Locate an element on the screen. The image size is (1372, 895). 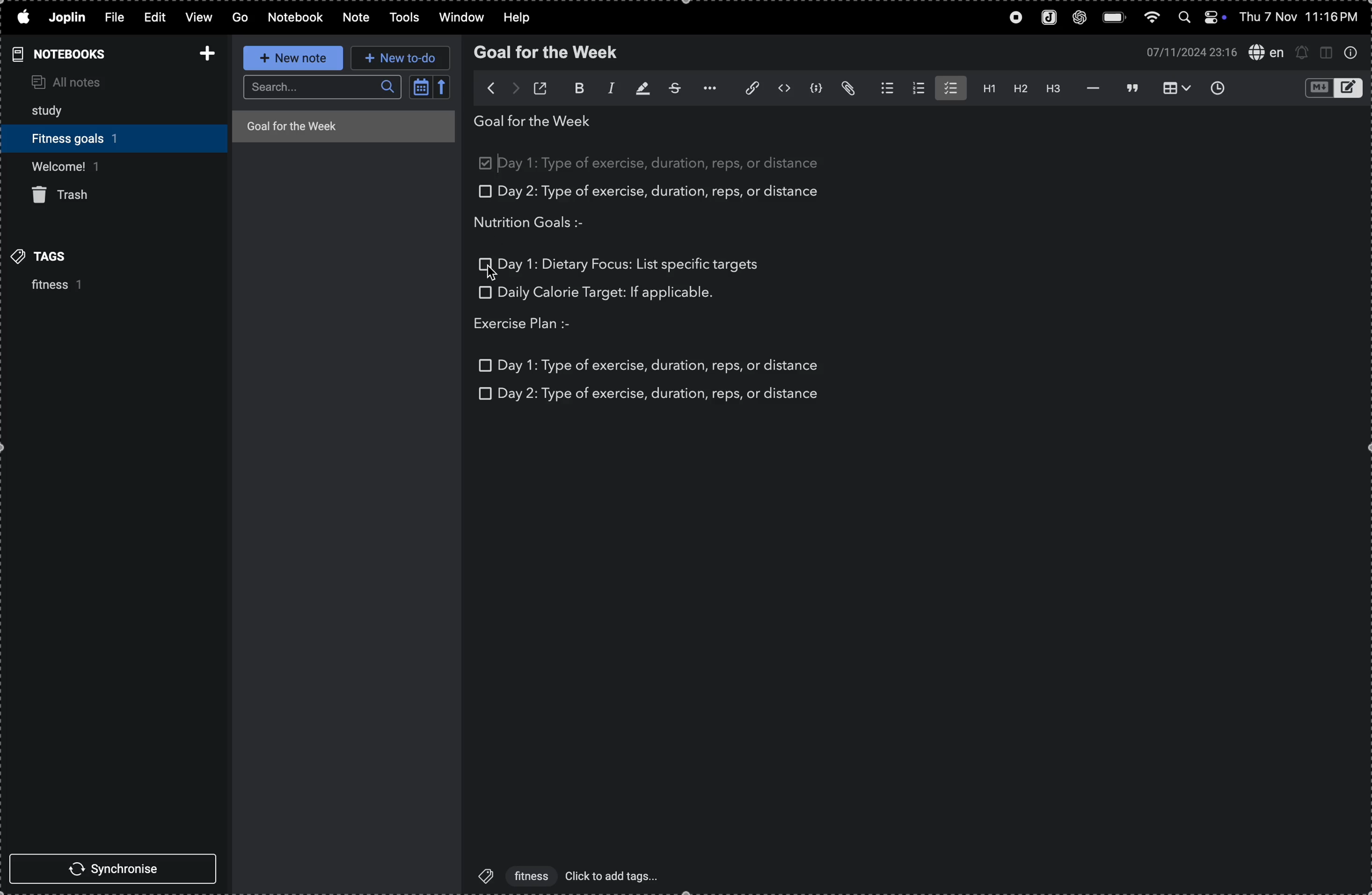
apple widgets is located at coordinates (1205, 17).